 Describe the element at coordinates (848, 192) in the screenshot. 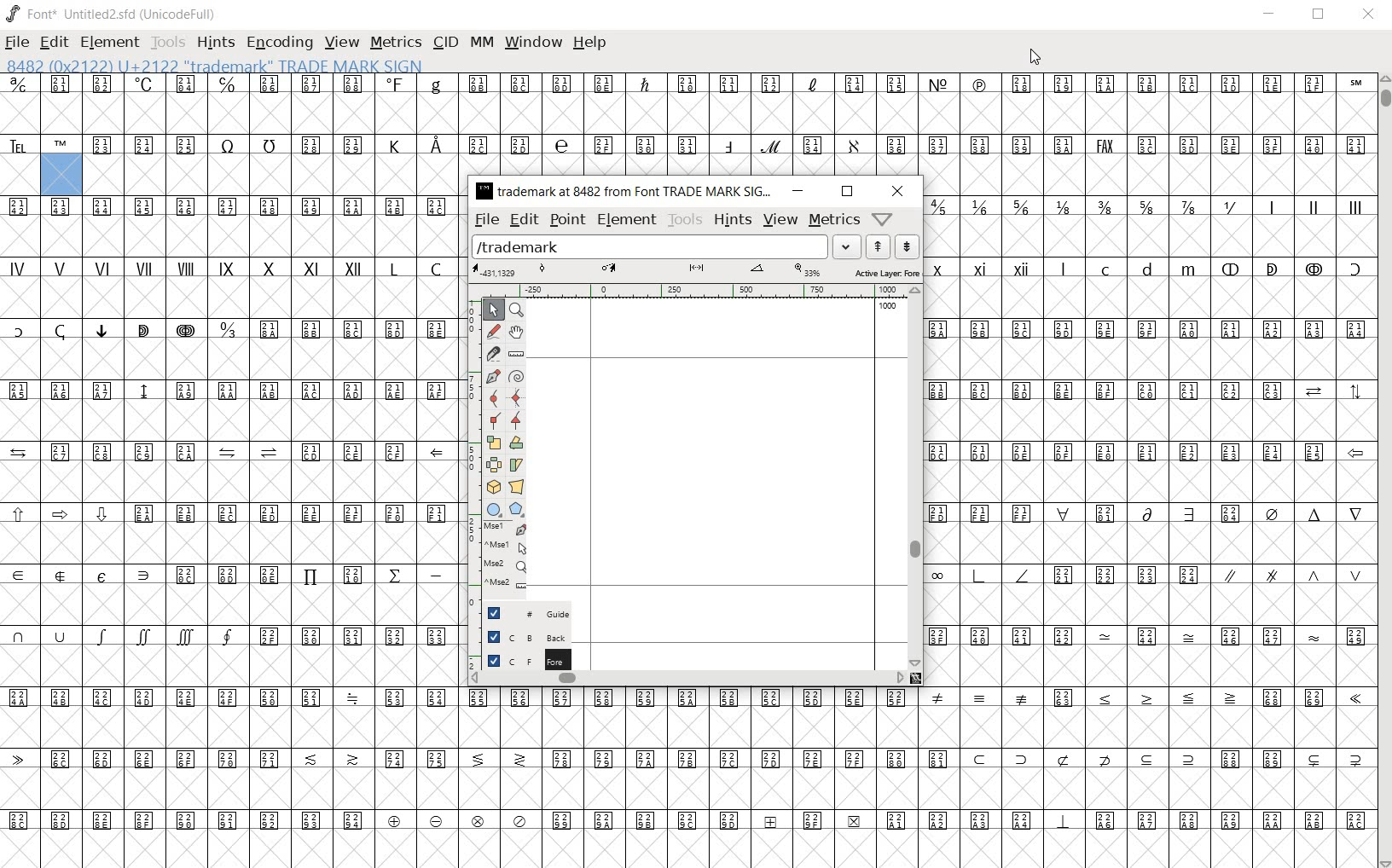

I see `restore` at that location.